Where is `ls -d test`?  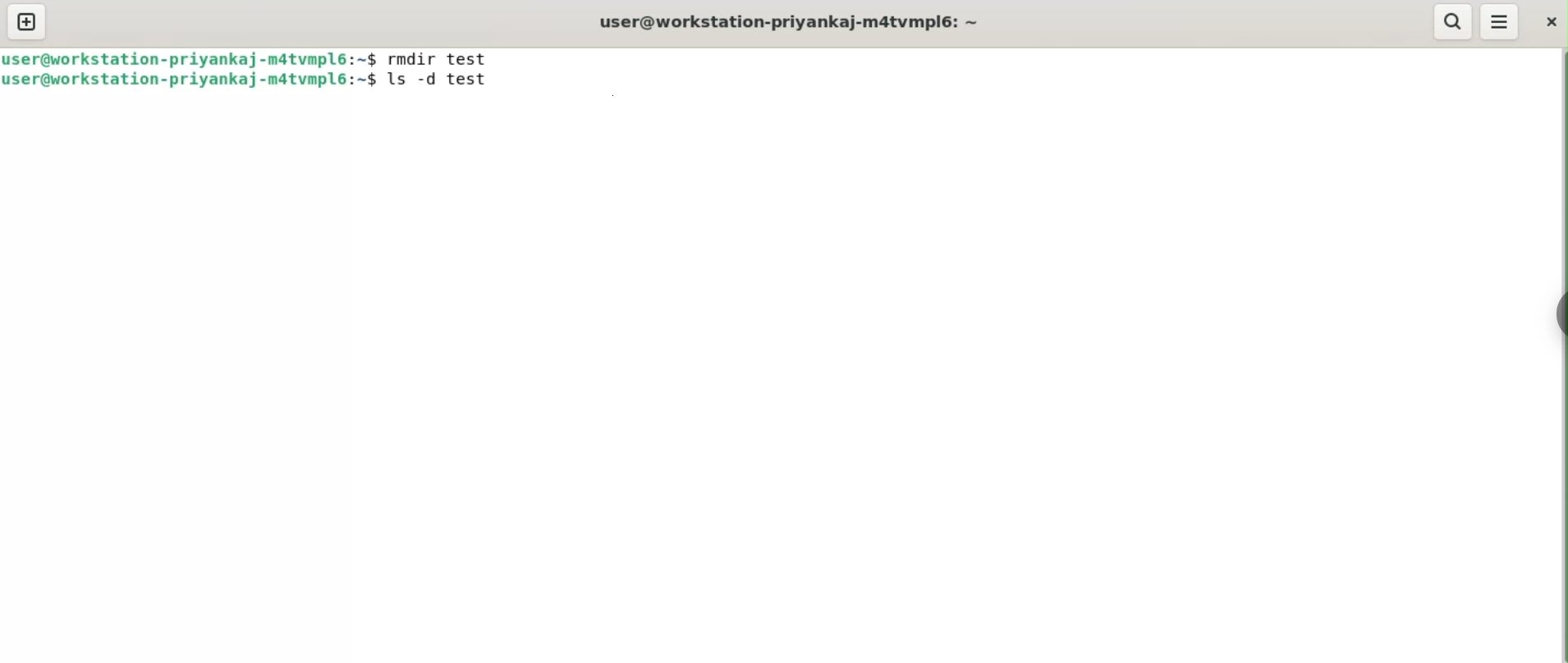 ls -d test is located at coordinates (438, 80).